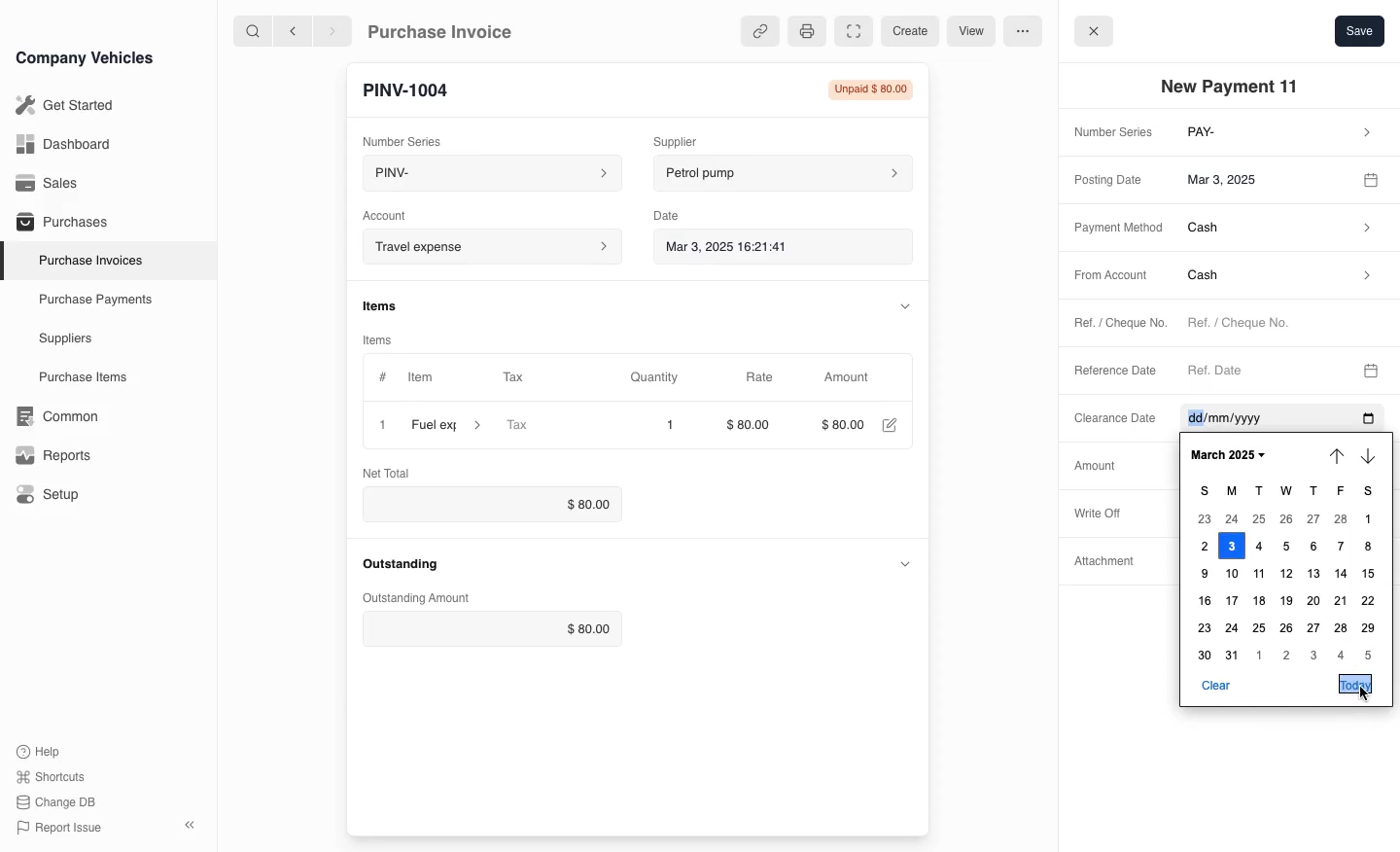 The width and height of the screenshot is (1400, 852). Describe the element at coordinates (388, 337) in the screenshot. I see `items` at that location.